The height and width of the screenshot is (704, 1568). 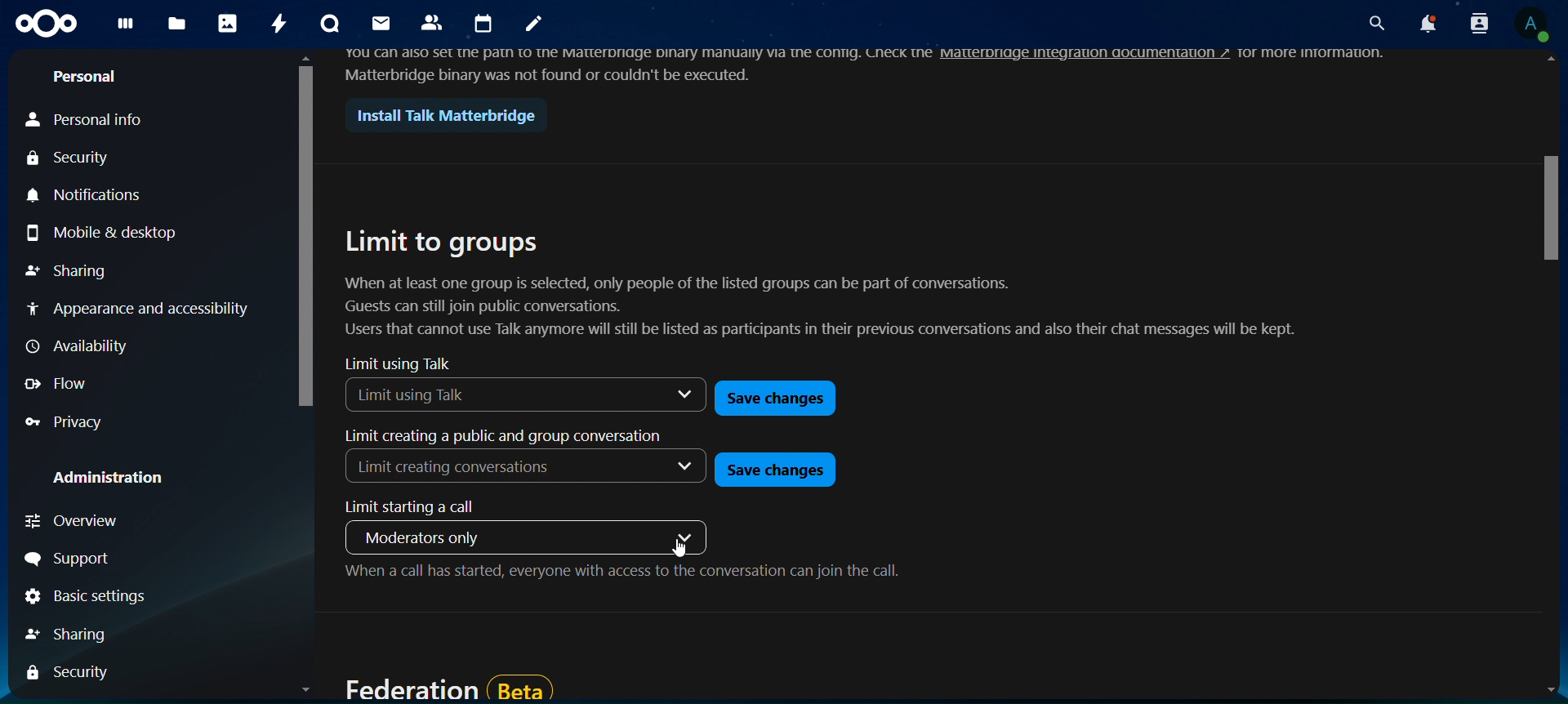 I want to click on limit creating a public and group conversation, so click(x=499, y=437).